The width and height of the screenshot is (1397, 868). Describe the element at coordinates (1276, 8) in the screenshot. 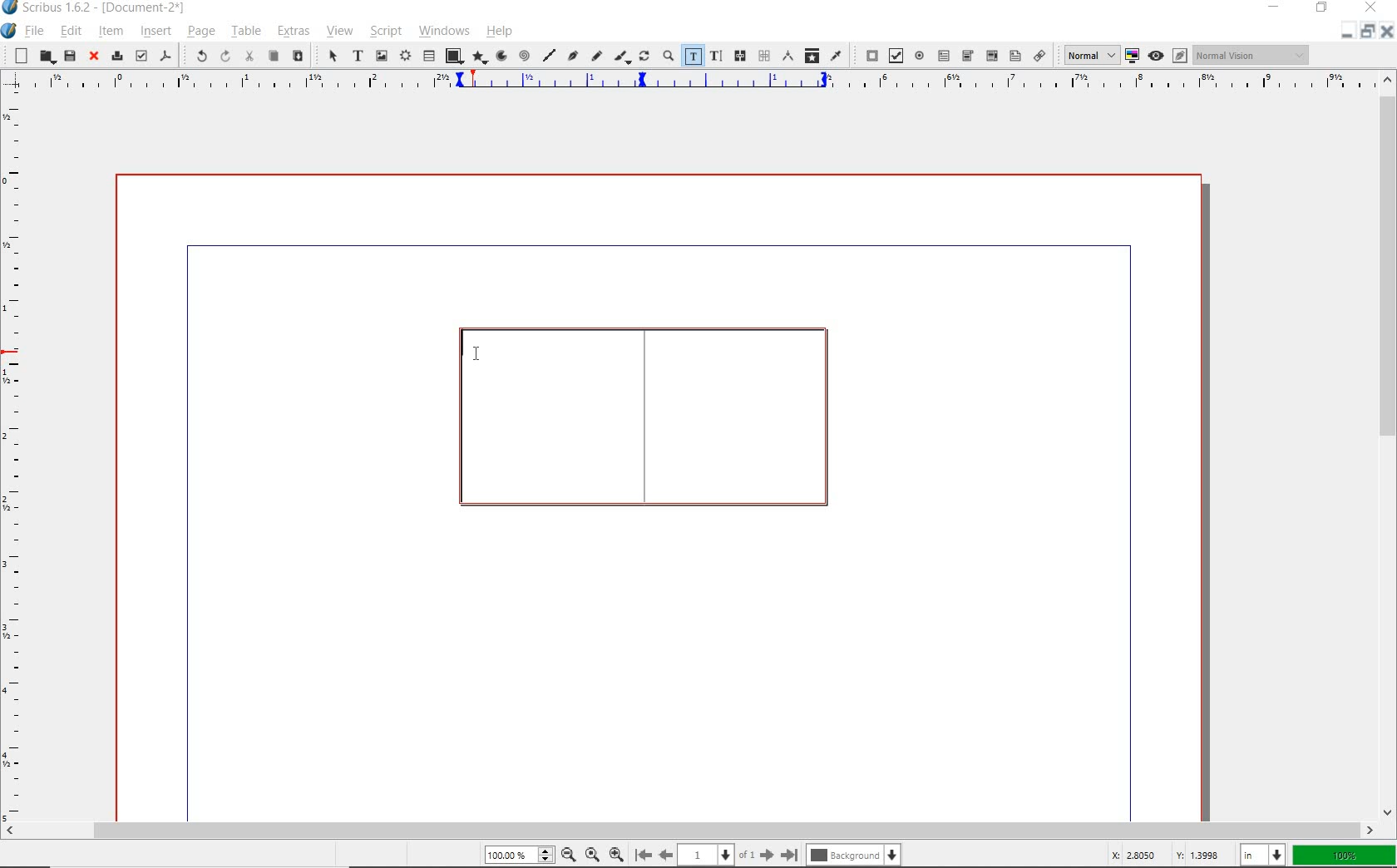

I see `minimize` at that location.